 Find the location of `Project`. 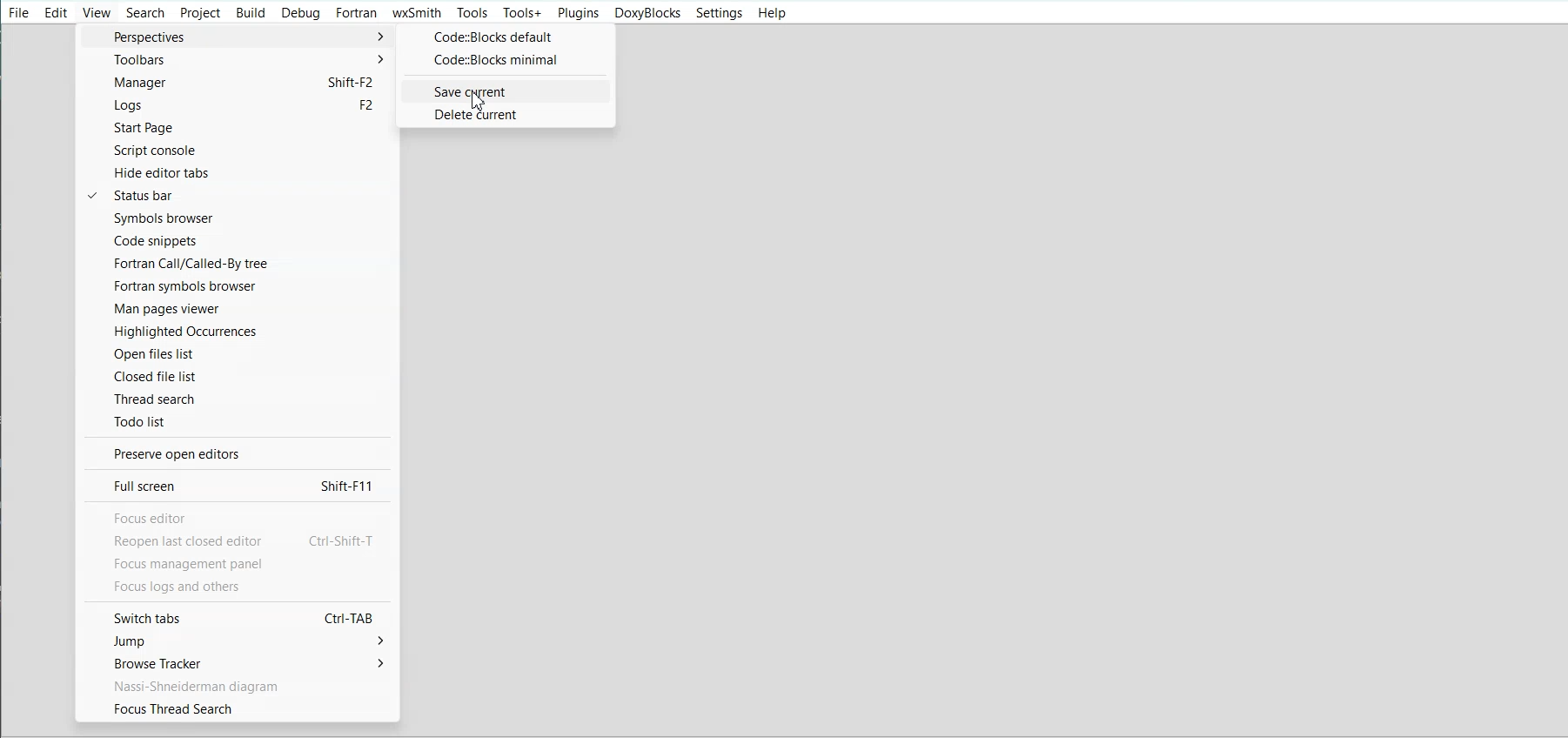

Project is located at coordinates (199, 12).